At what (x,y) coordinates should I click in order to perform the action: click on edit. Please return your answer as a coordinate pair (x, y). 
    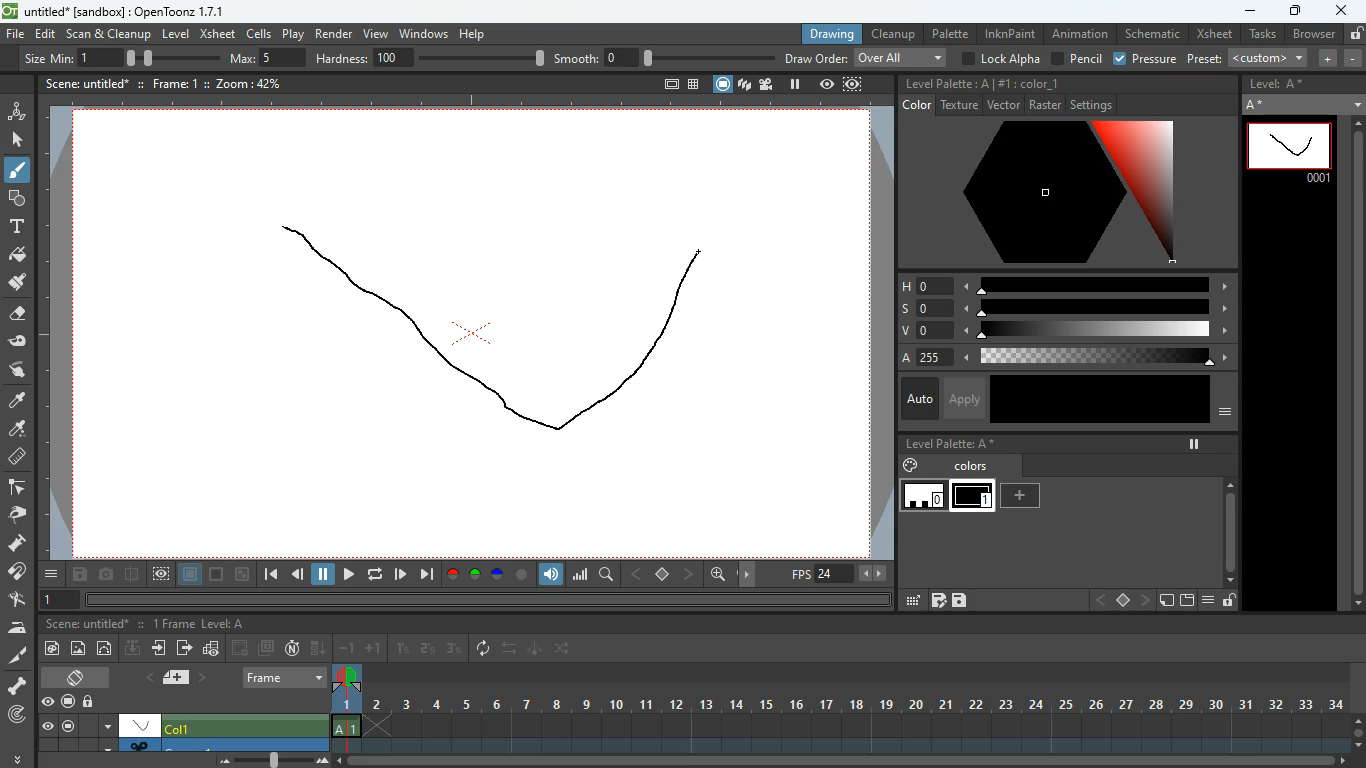
    Looking at the image, I should click on (910, 601).